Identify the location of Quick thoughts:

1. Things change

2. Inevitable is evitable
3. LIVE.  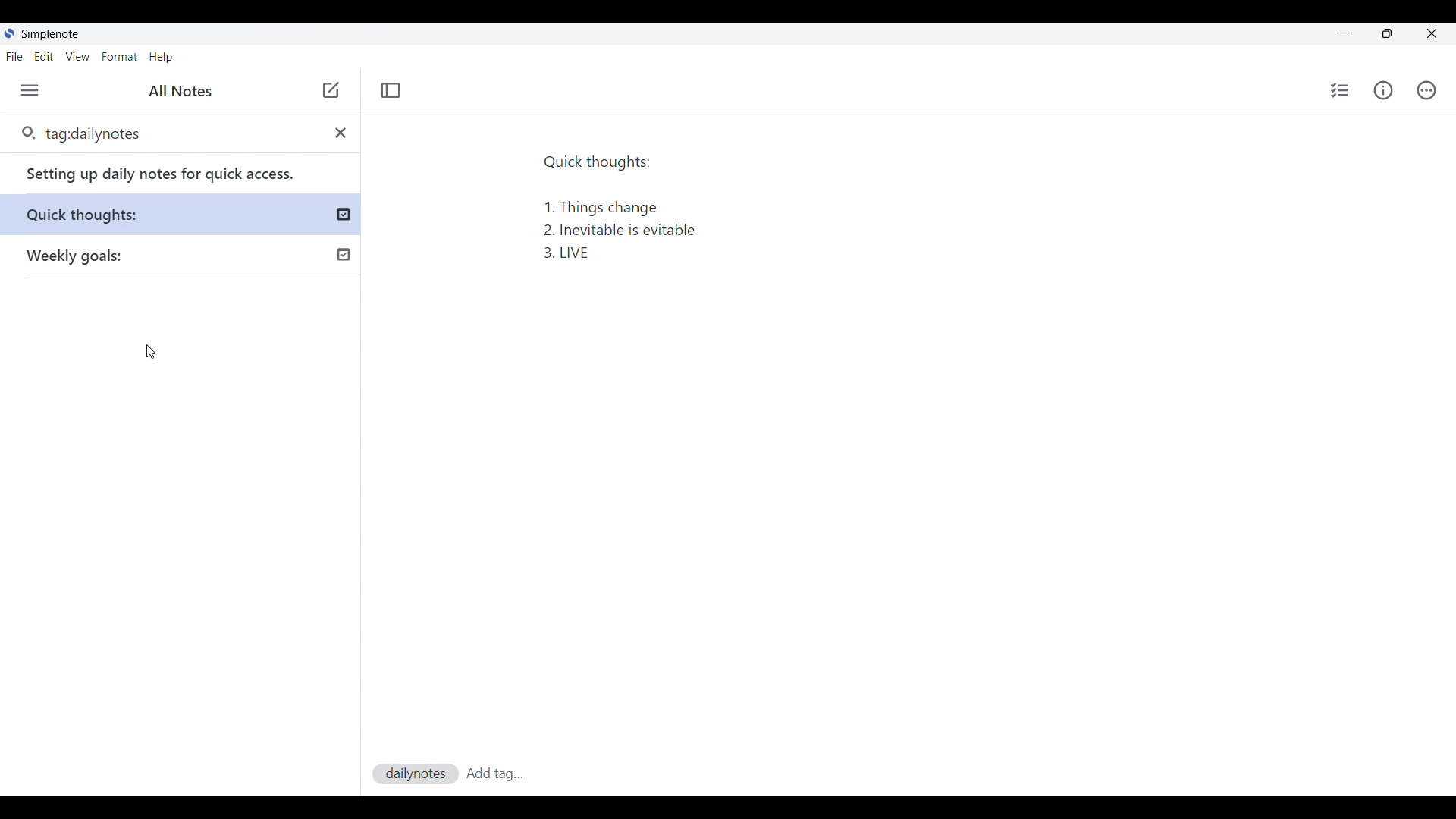
(626, 202).